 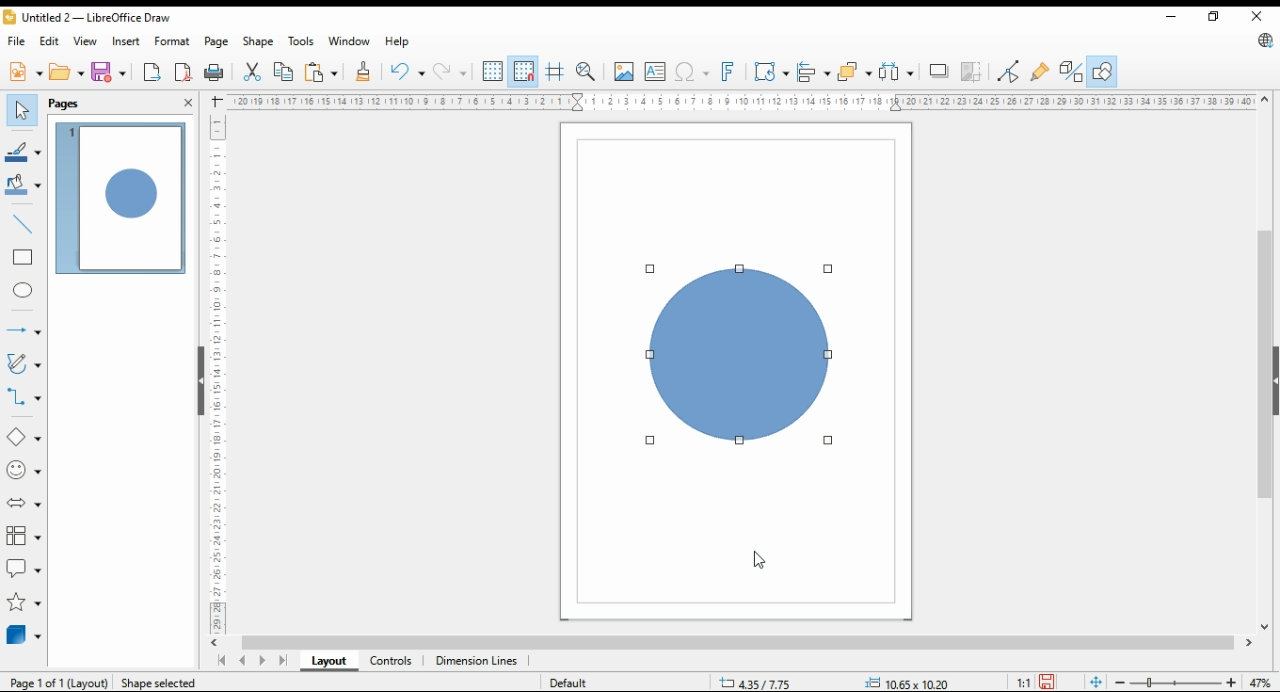 What do you see at coordinates (1176, 681) in the screenshot?
I see `zoom slider` at bounding box center [1176, 681].